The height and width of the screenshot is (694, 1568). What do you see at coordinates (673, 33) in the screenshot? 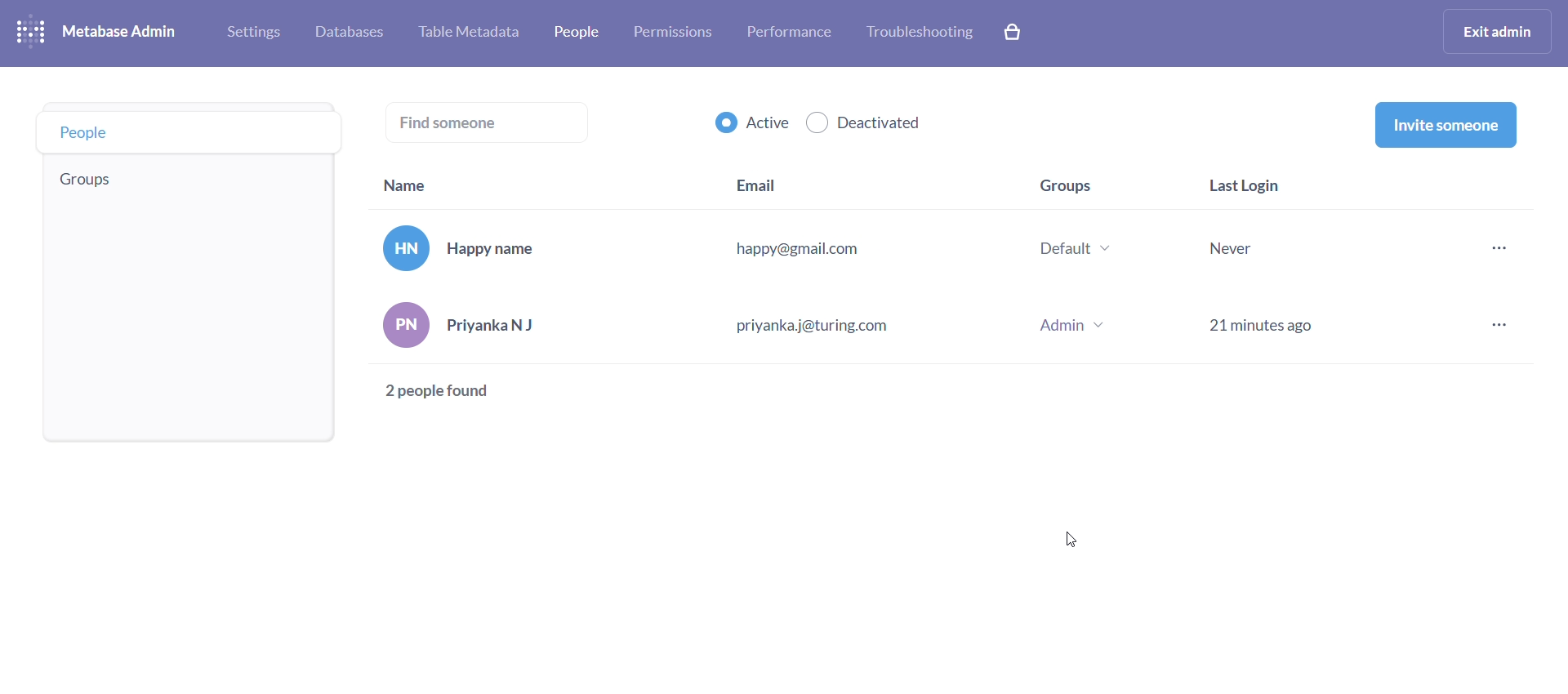
I see `permissions` at bounding box center [673, 33].